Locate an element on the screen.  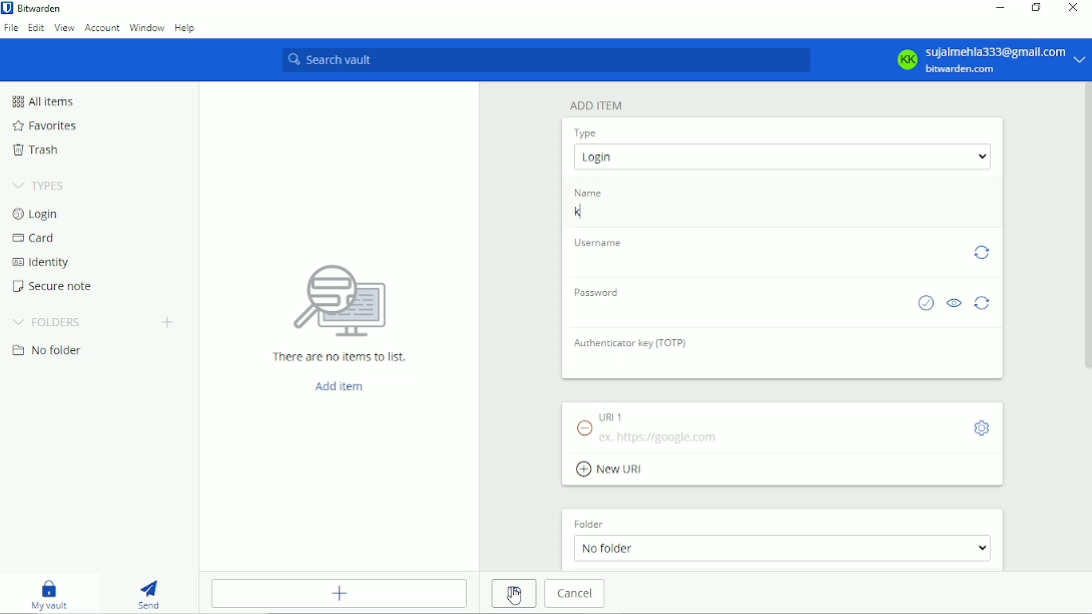
Generate username is located at coordinates (982, 253).